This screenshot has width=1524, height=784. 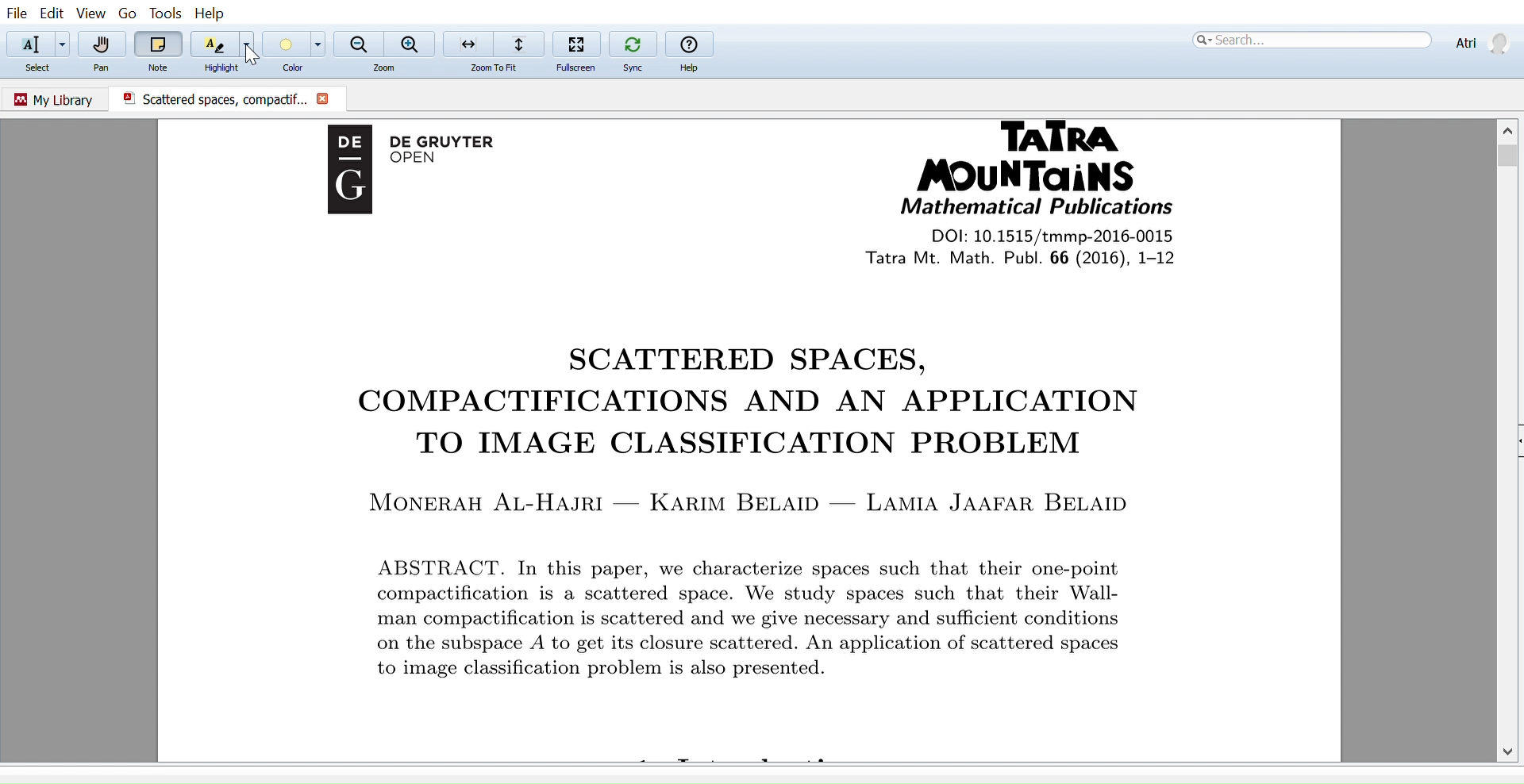 I want to click on Help, so click(x=692, y=68).